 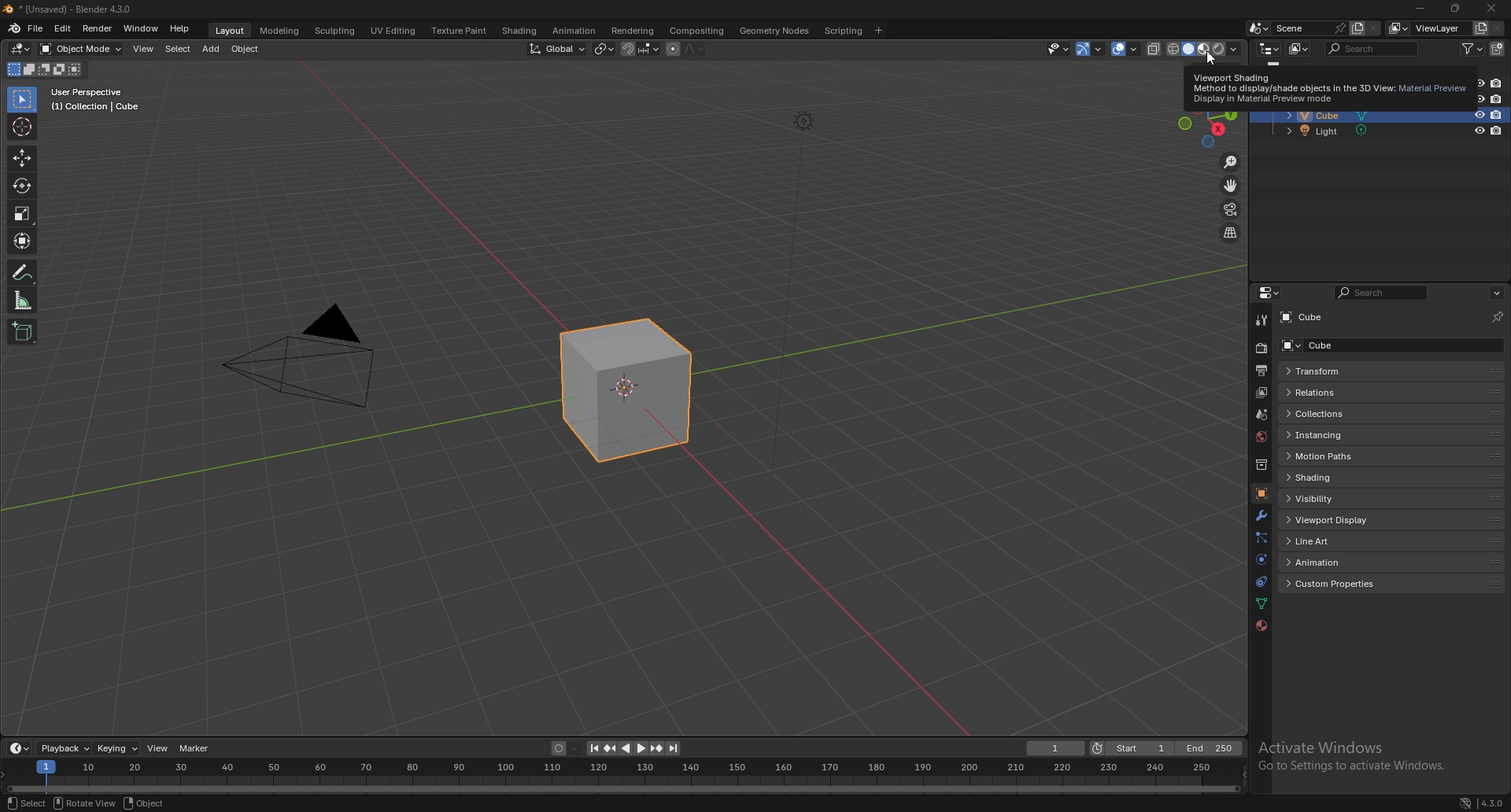 I want to click on pin, so click(x=1496, y=317).